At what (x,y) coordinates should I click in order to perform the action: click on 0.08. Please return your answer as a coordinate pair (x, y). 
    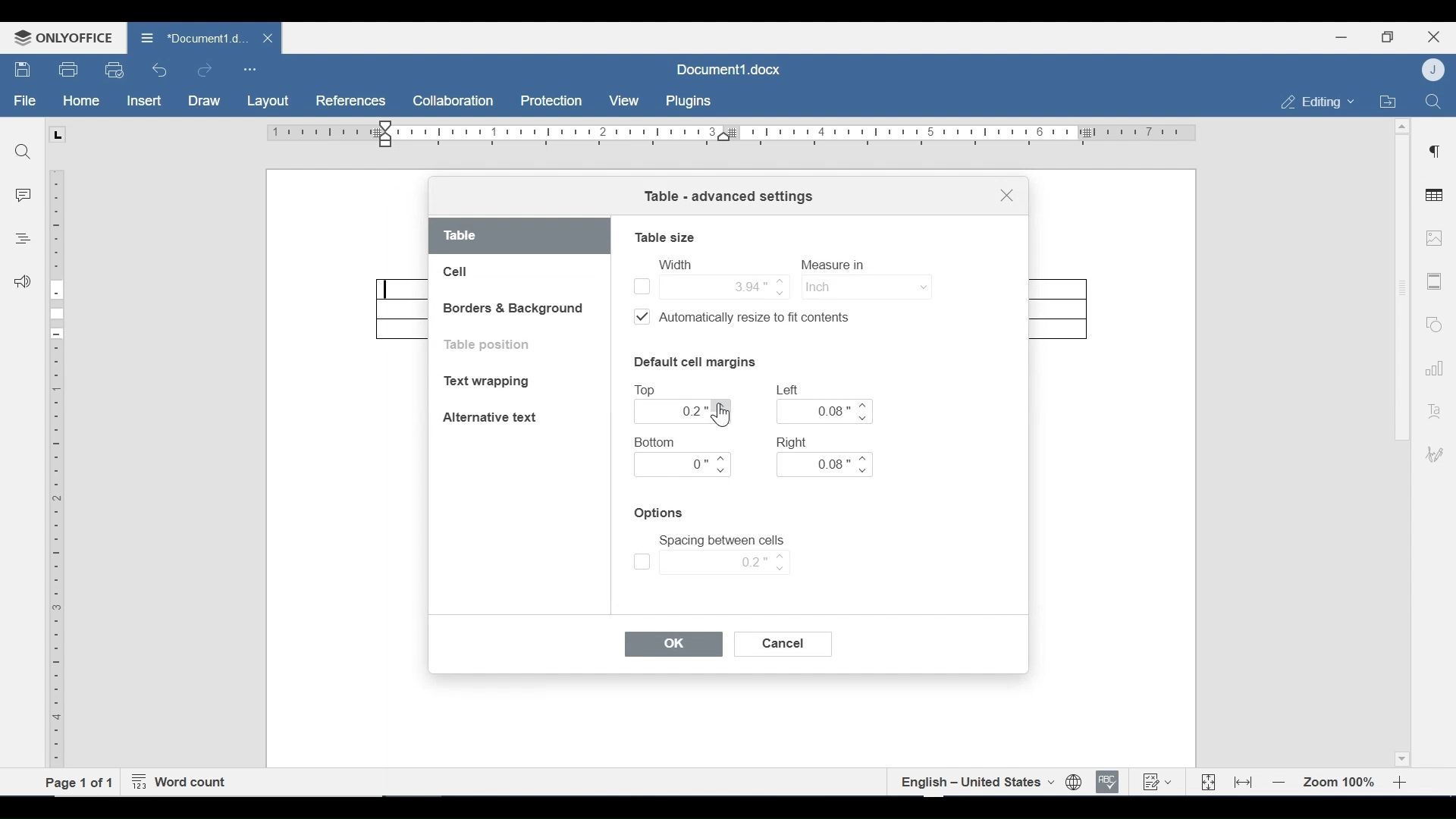
    Looking at the image, I should click on (824, 465).